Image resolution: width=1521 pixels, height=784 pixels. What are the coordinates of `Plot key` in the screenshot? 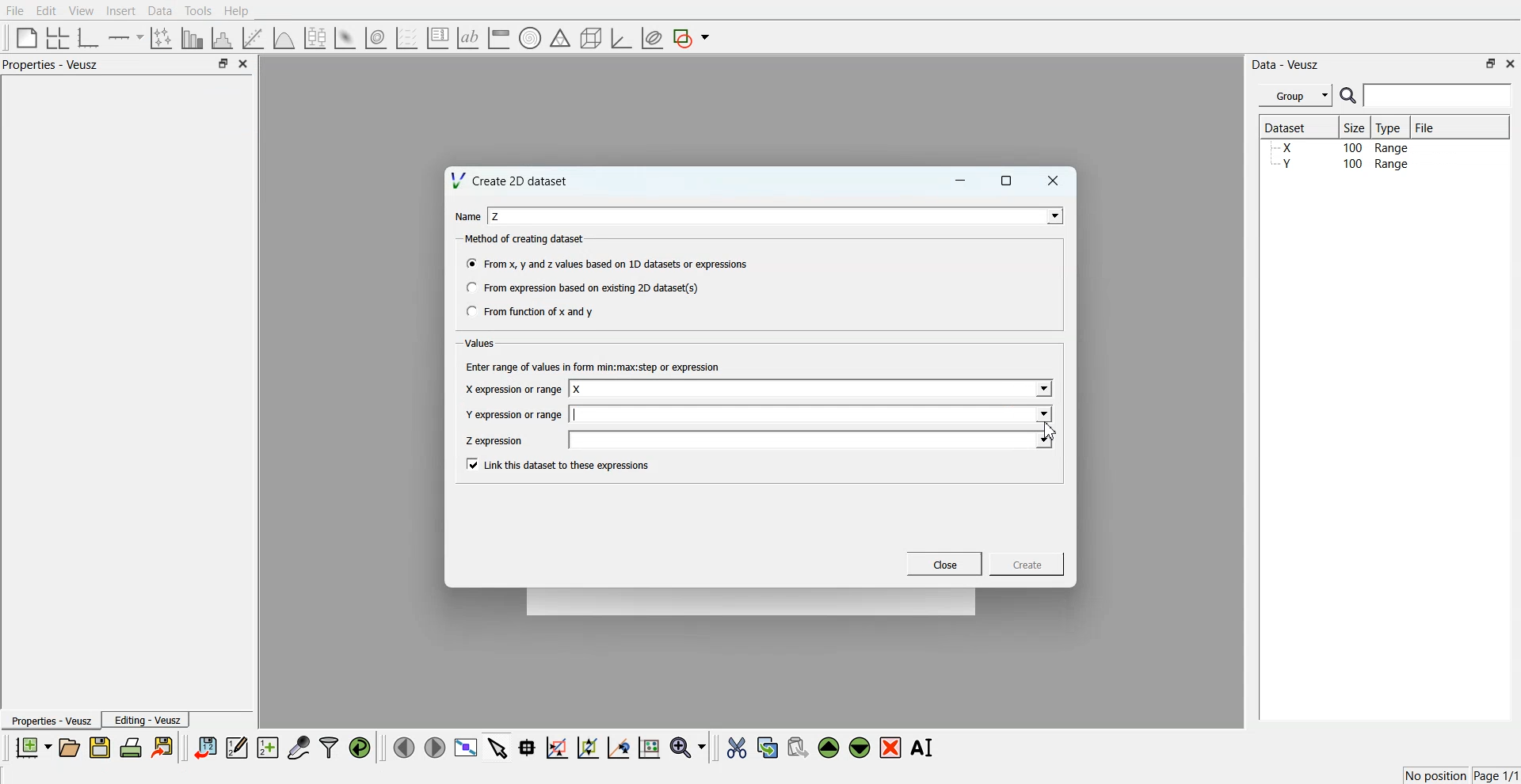 It's located at (437, 38).